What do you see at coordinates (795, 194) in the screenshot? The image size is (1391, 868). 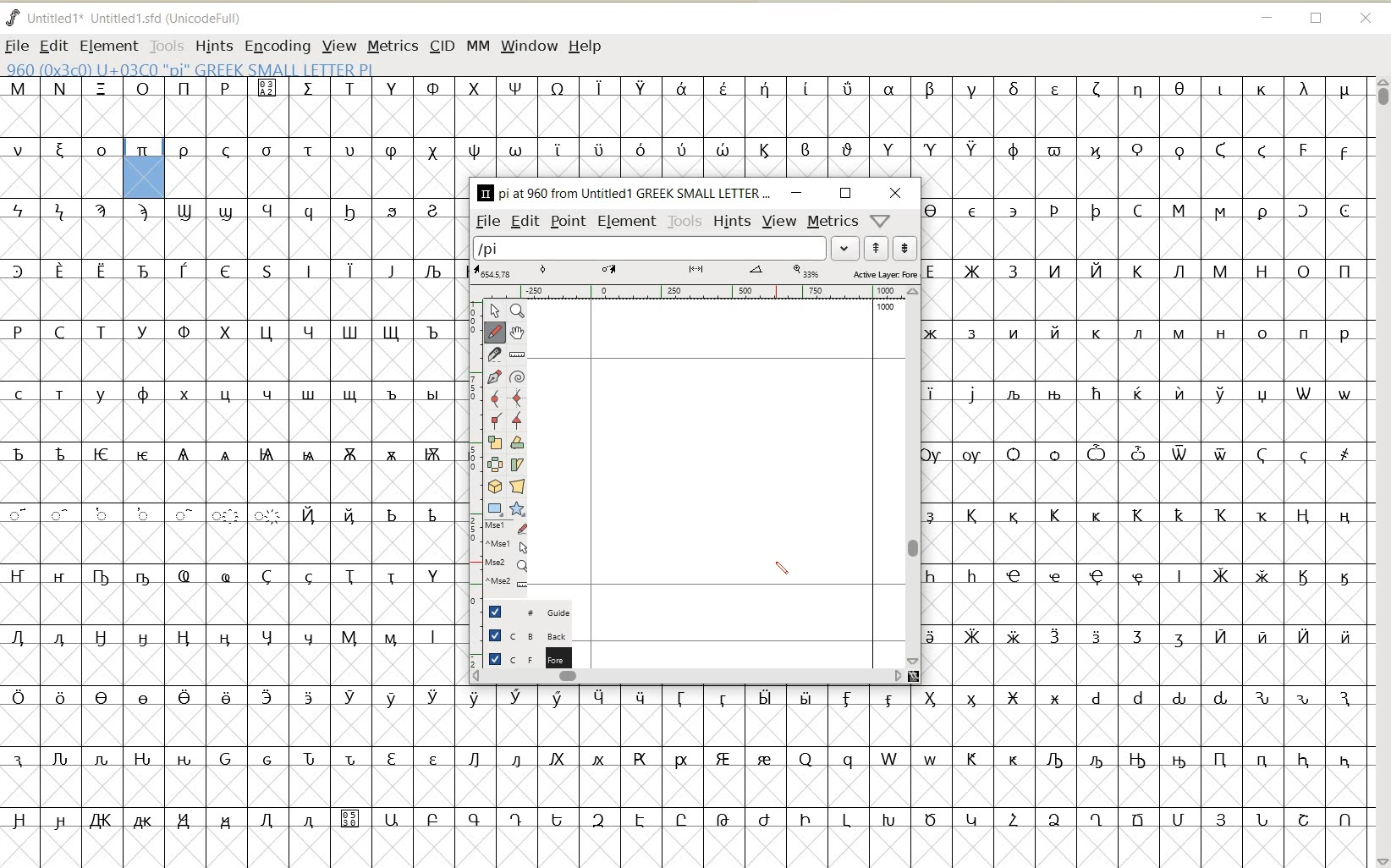 I see `MINIMIZE` at bounding box center [795, 194].